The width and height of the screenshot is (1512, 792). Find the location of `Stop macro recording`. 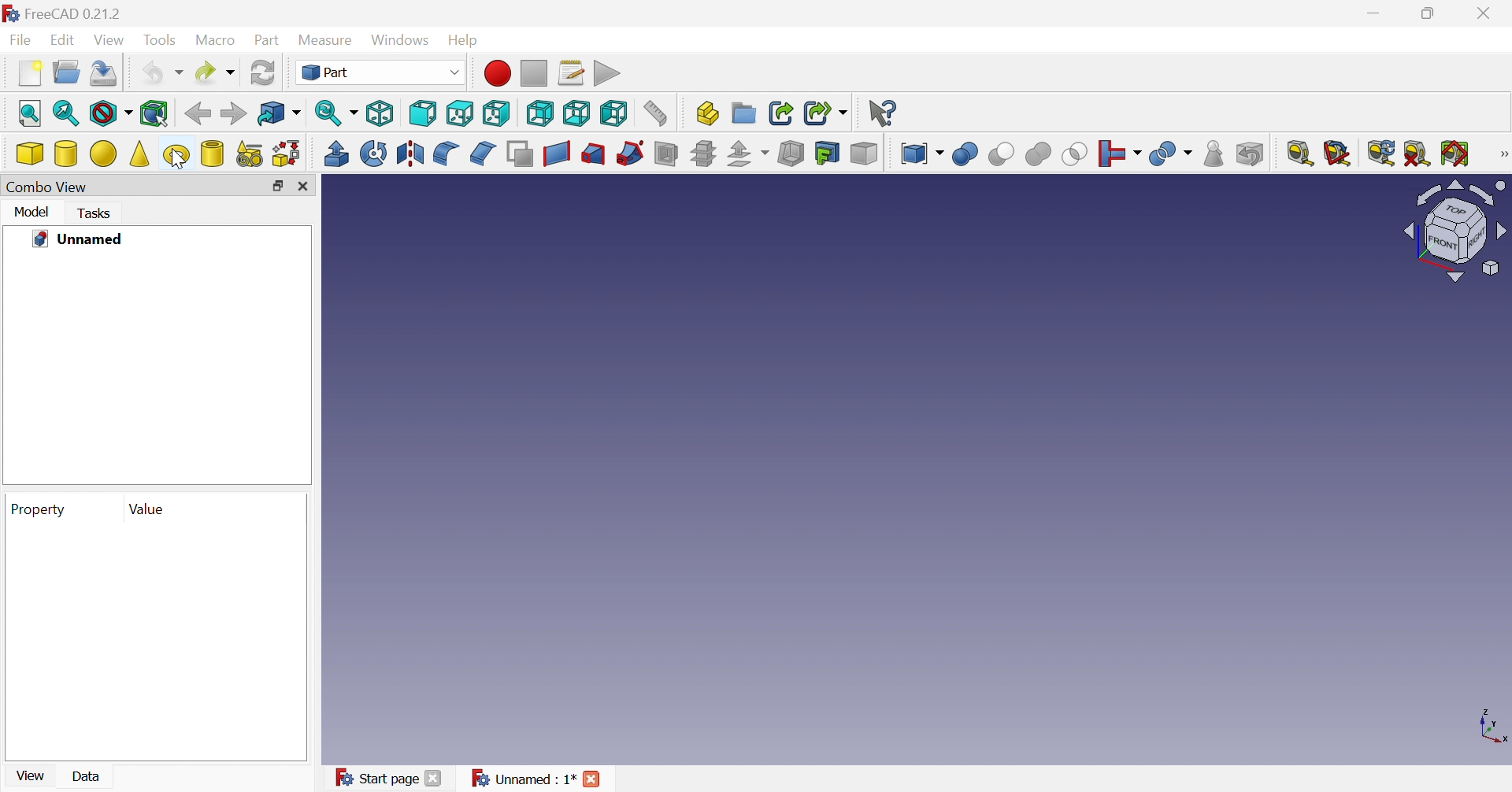

Stop macro recording is located at coordinates (533, 72).